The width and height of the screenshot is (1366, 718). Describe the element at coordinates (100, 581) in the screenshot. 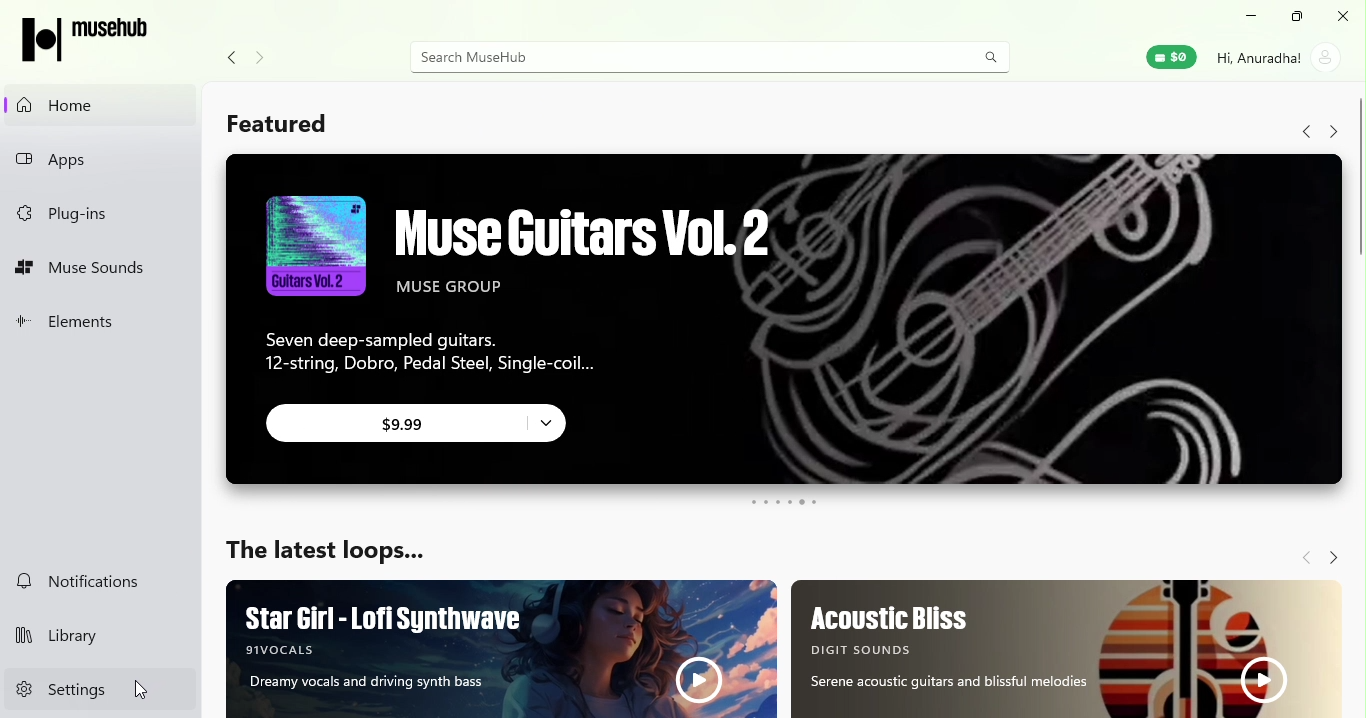

I see `Notifications` at that location.